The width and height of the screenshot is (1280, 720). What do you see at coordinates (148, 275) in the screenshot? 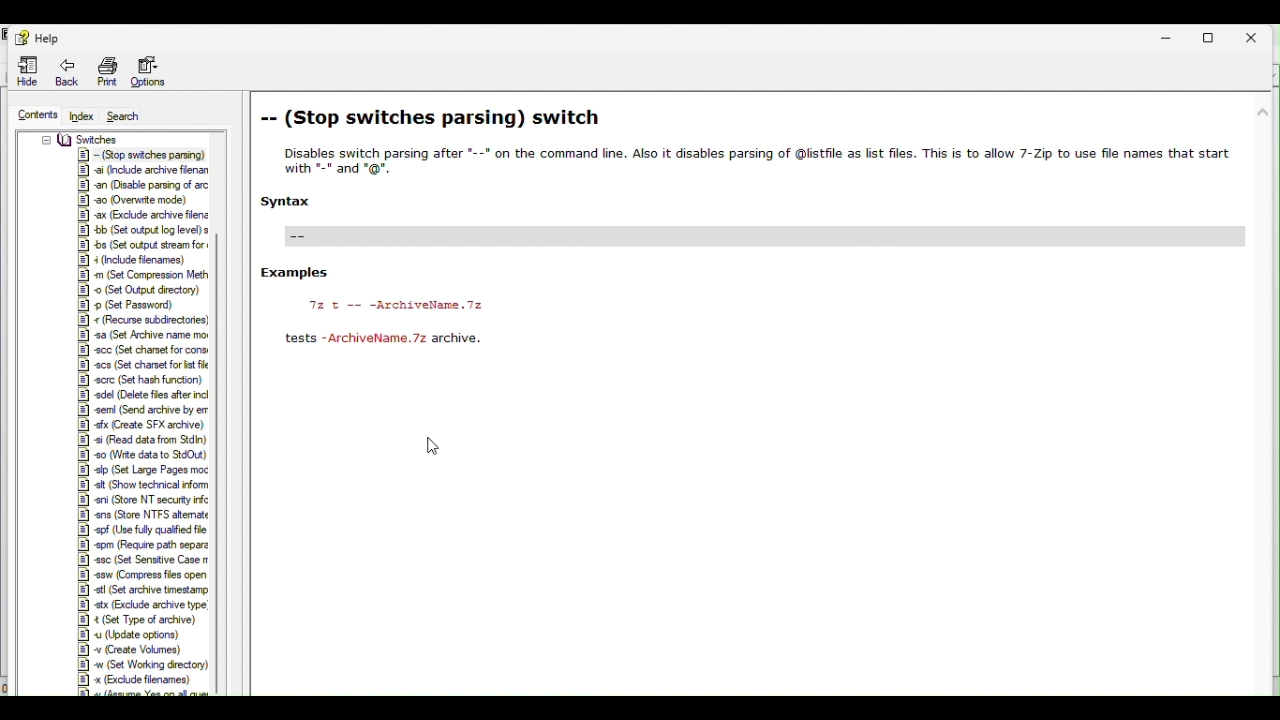
I see `` at bounding box center [148, 275].